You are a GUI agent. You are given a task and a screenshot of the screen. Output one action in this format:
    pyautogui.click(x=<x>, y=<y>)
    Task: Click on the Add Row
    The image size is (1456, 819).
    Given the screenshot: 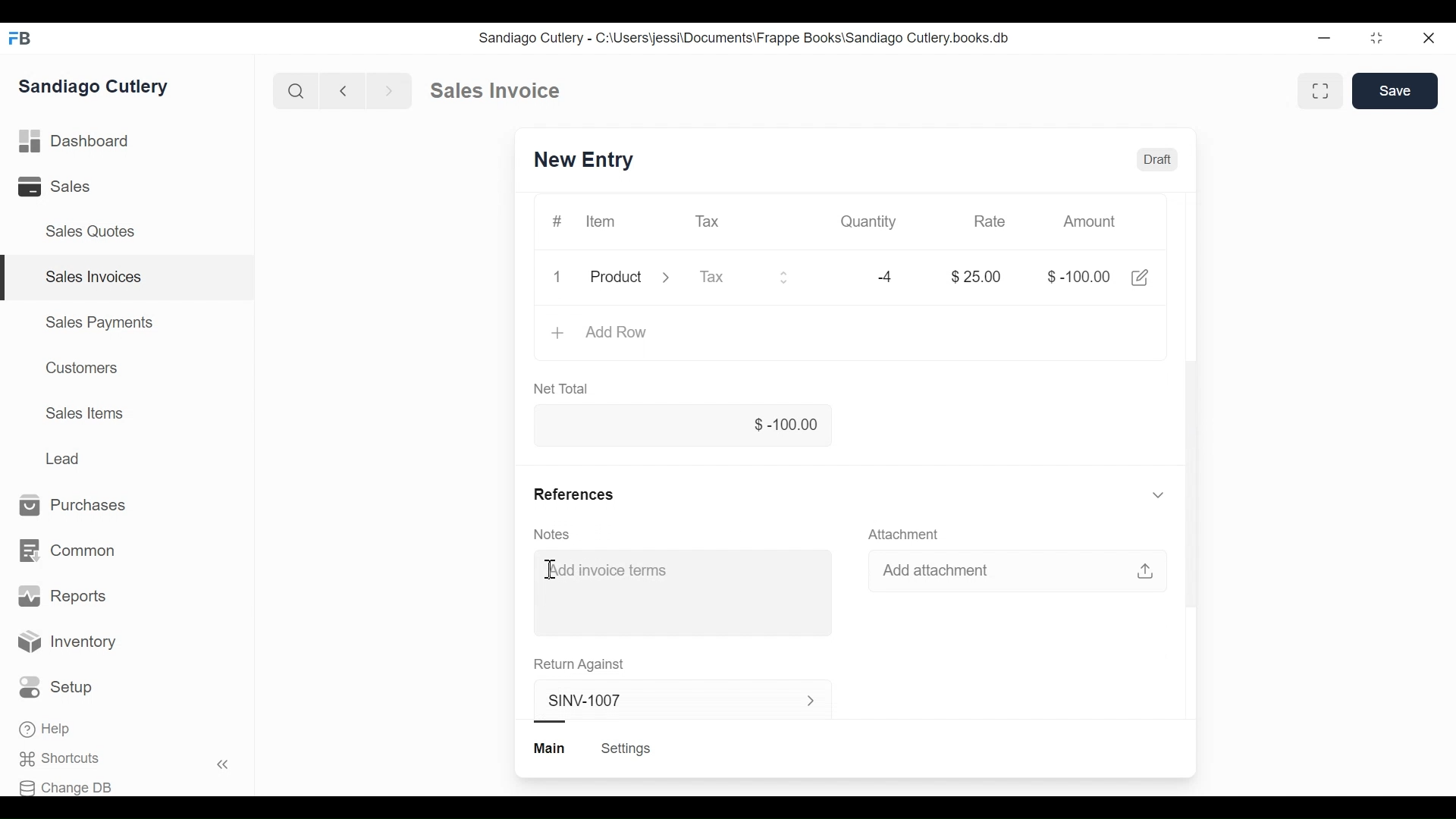 What is the action you would take?
    pyautogui.click(x=601, y=334)
    